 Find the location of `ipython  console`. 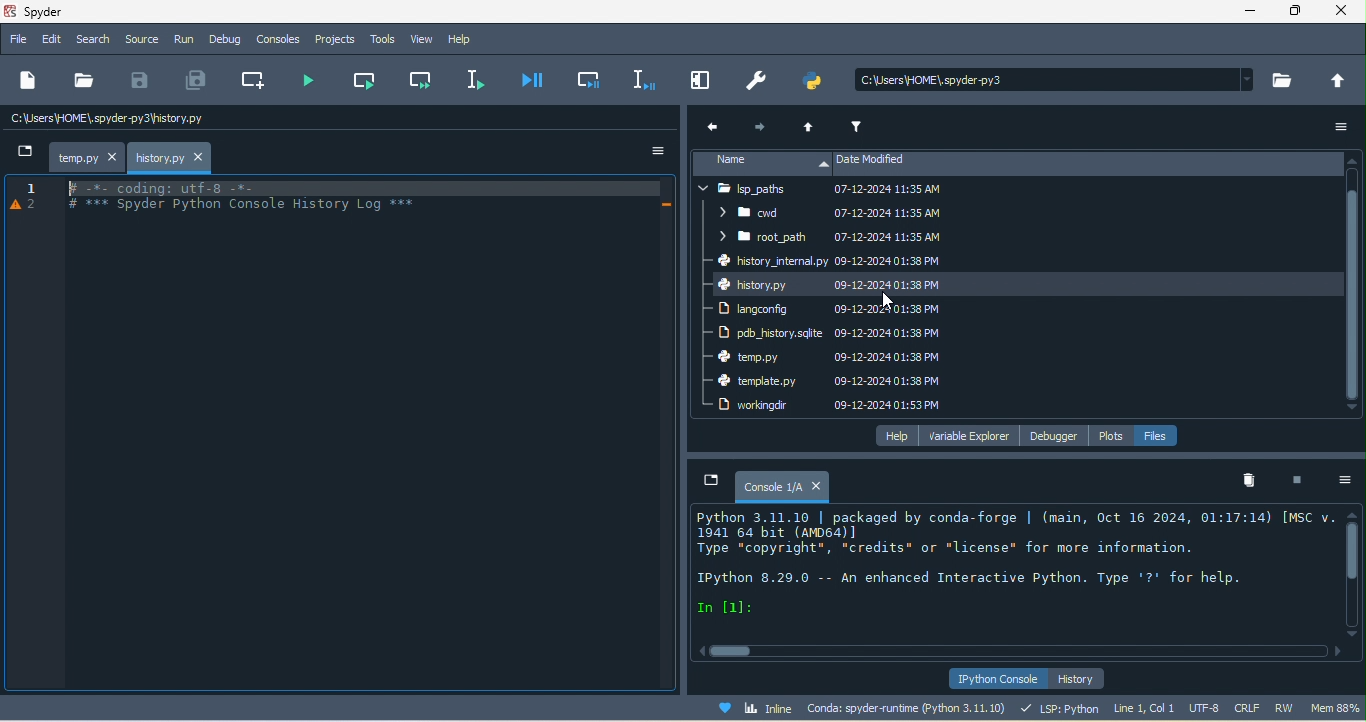

ipython  console is located at coordinates (992, 679).